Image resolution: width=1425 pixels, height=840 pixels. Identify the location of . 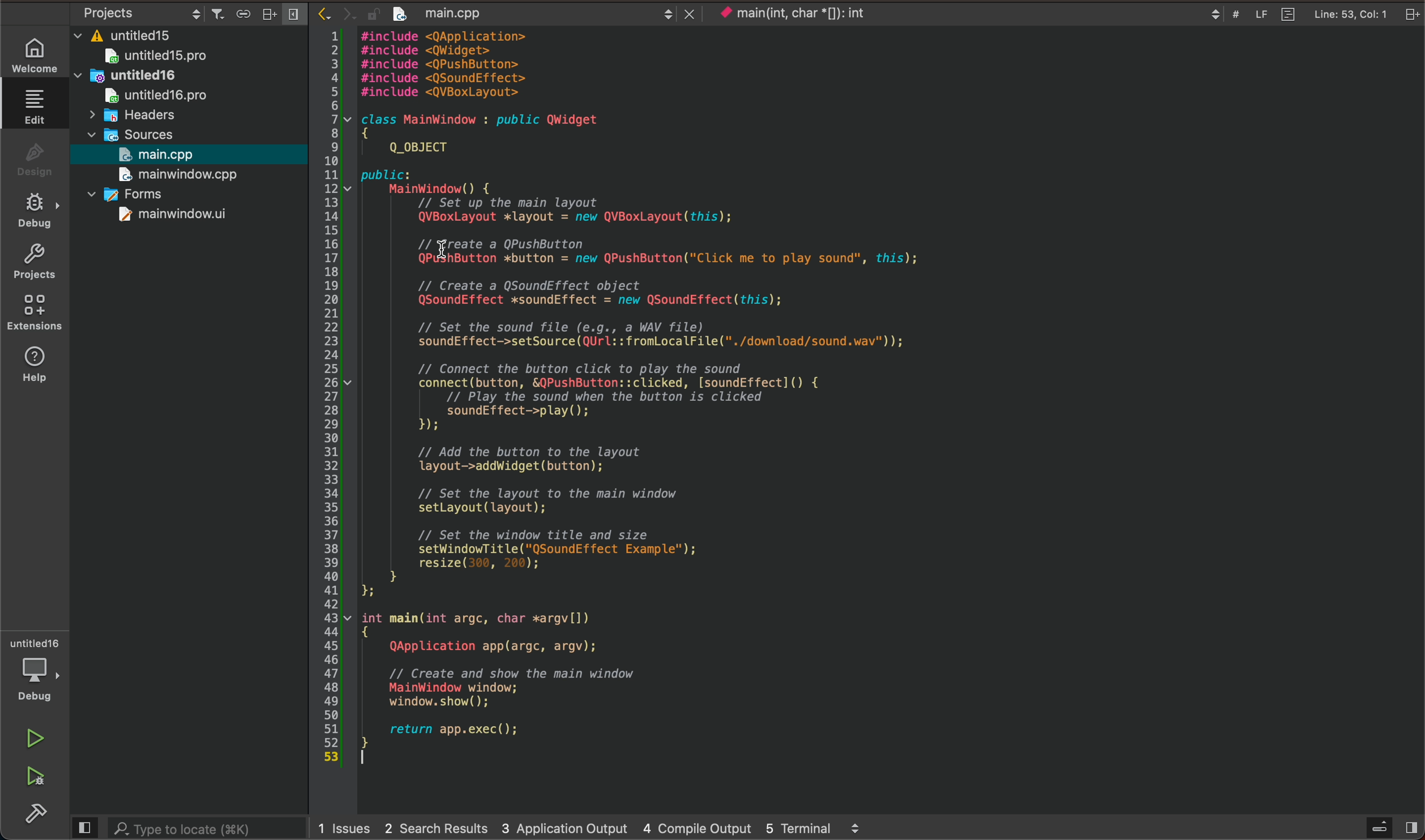
(1397, 13).